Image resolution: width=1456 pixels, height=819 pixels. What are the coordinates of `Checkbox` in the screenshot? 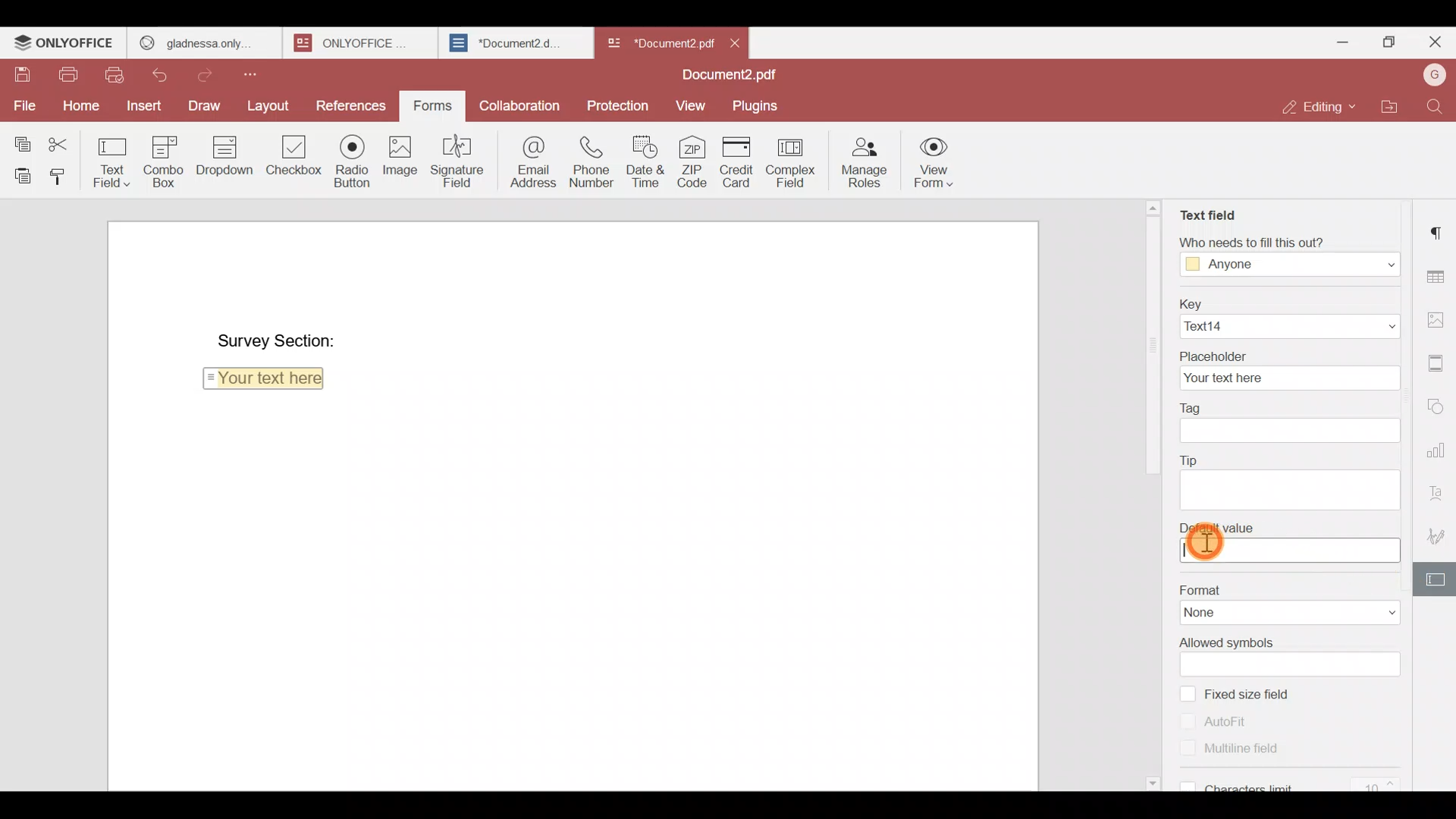 It's located at (290, 159).